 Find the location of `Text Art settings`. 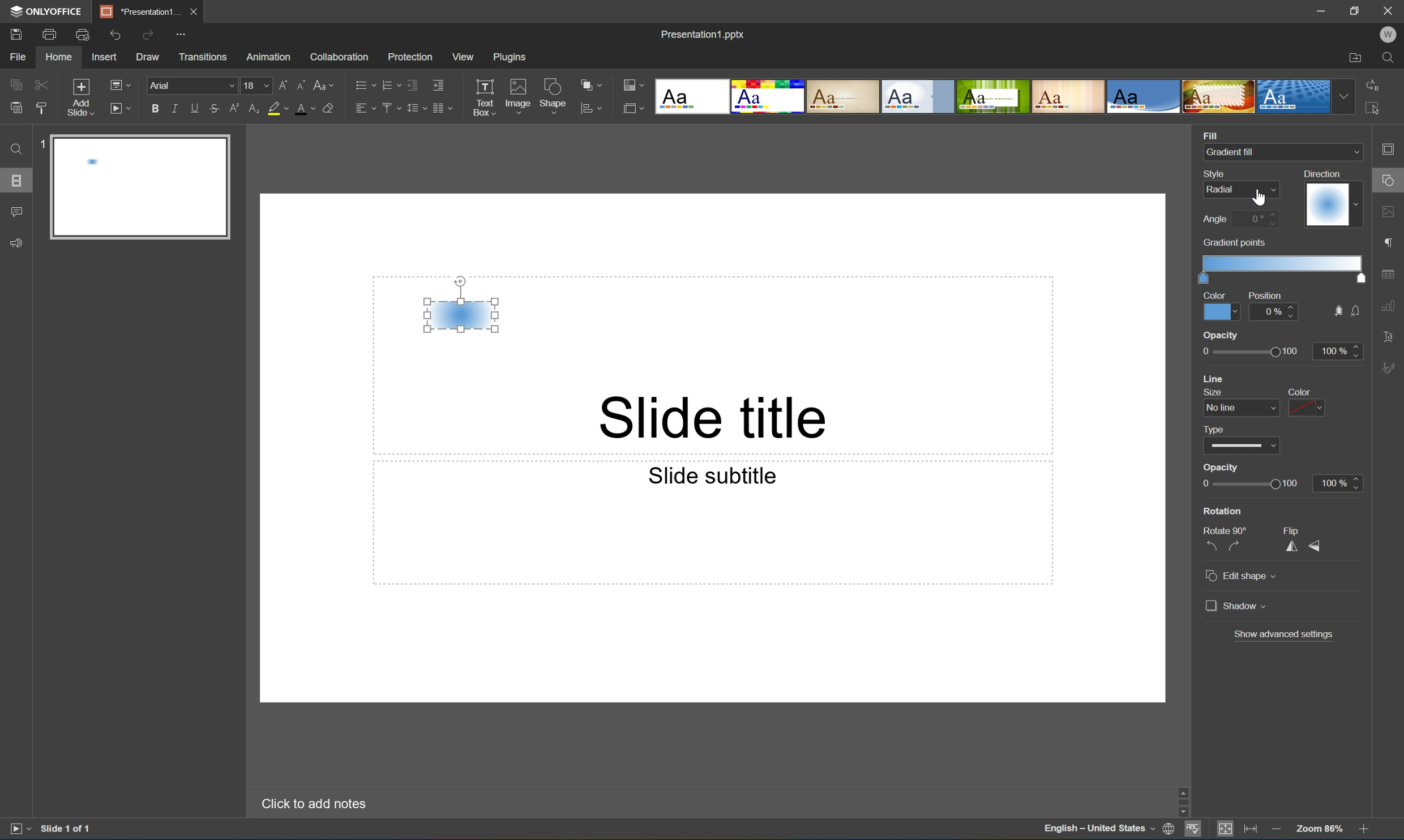

Text Art settings is located at coordinates (1389, 336).